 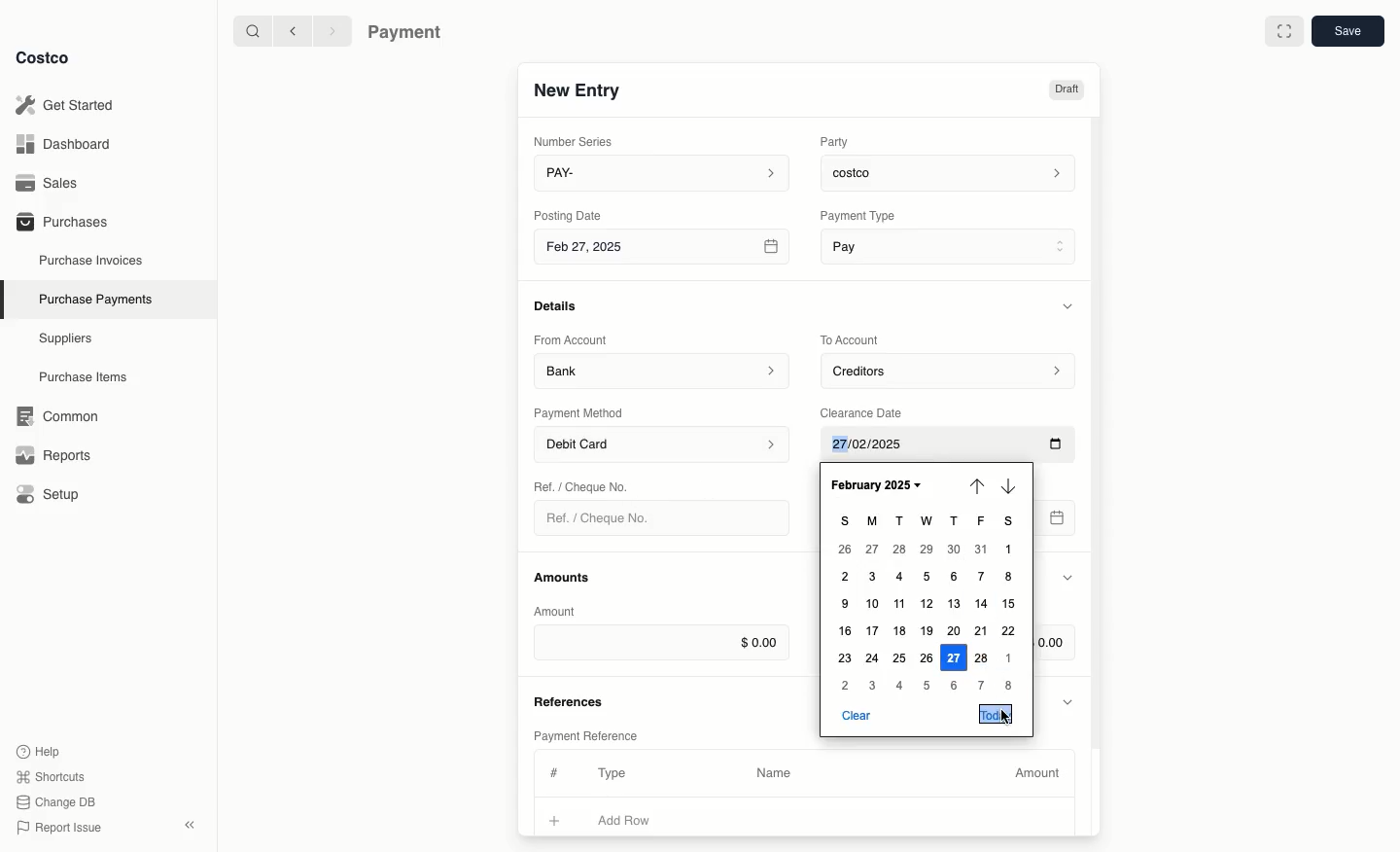 What do you see at coordinates (94, 298) in the screenshot?
I see `Purchase Payments` at bounding box center [94, 298].